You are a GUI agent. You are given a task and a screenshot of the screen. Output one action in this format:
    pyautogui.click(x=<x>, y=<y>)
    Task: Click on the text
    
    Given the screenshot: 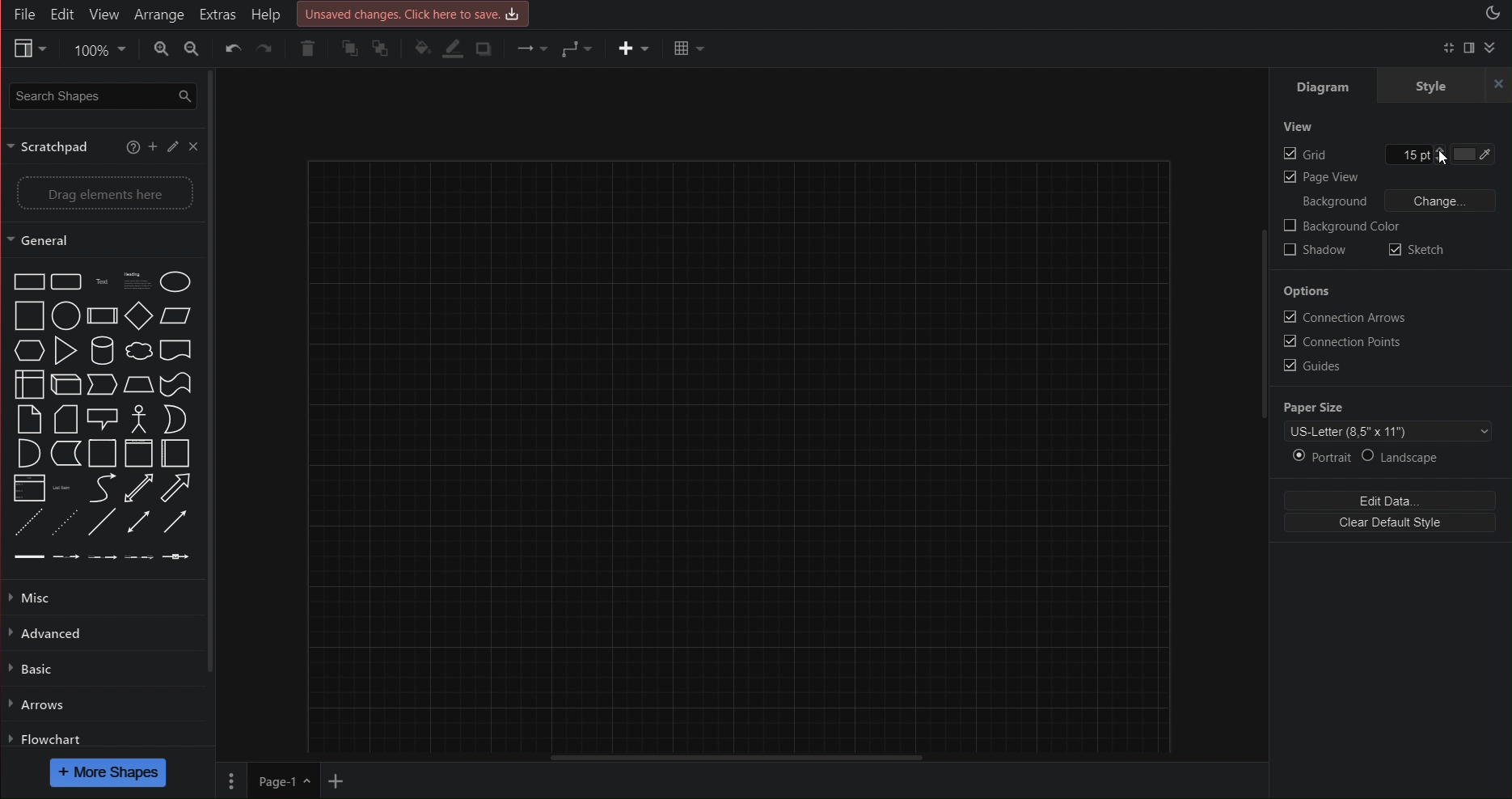 What is the action you would take?
    pyautogui.click(x=99, y=277)
    